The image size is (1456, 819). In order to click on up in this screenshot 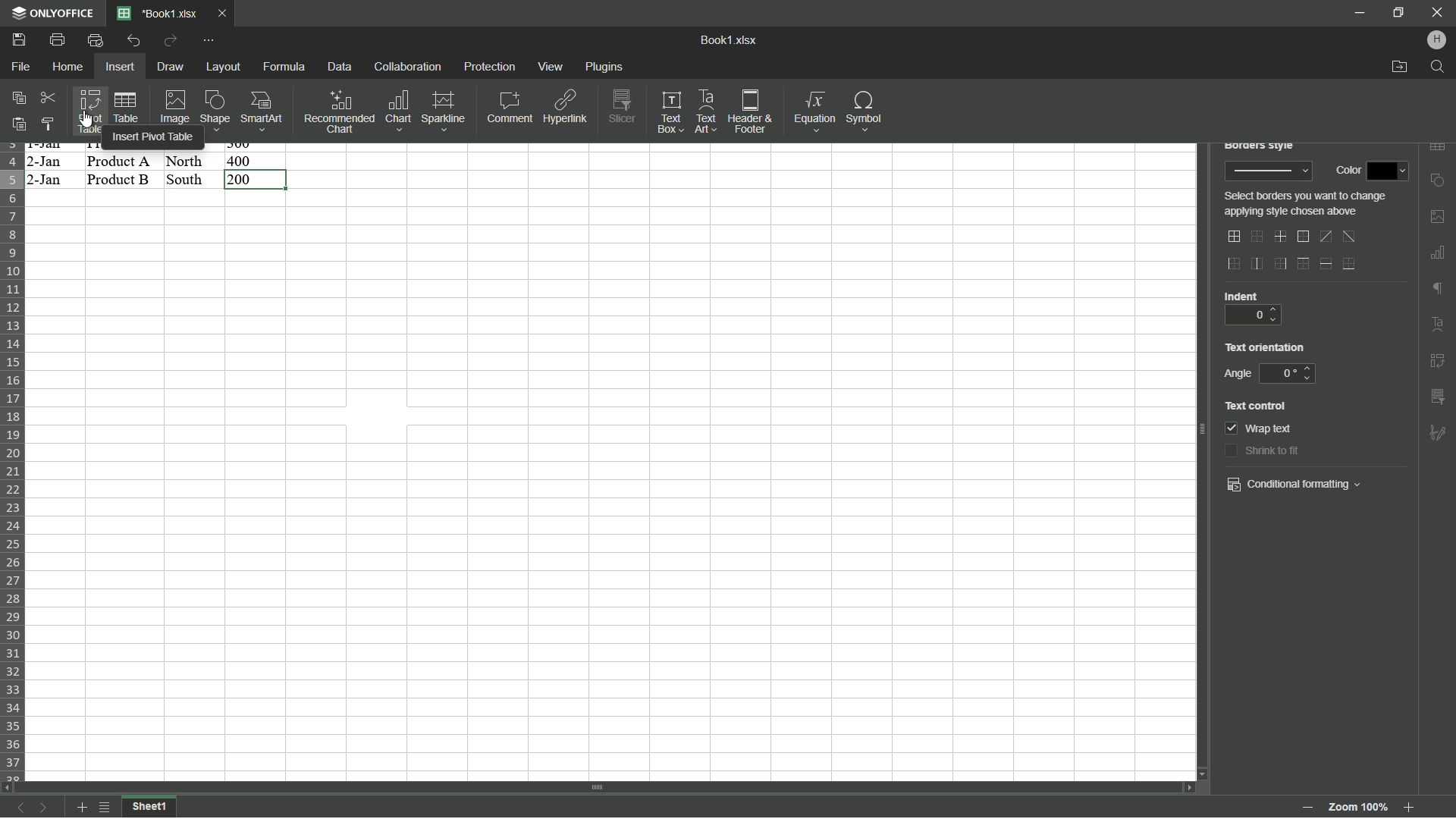, I will do `click(1276, 308)`.